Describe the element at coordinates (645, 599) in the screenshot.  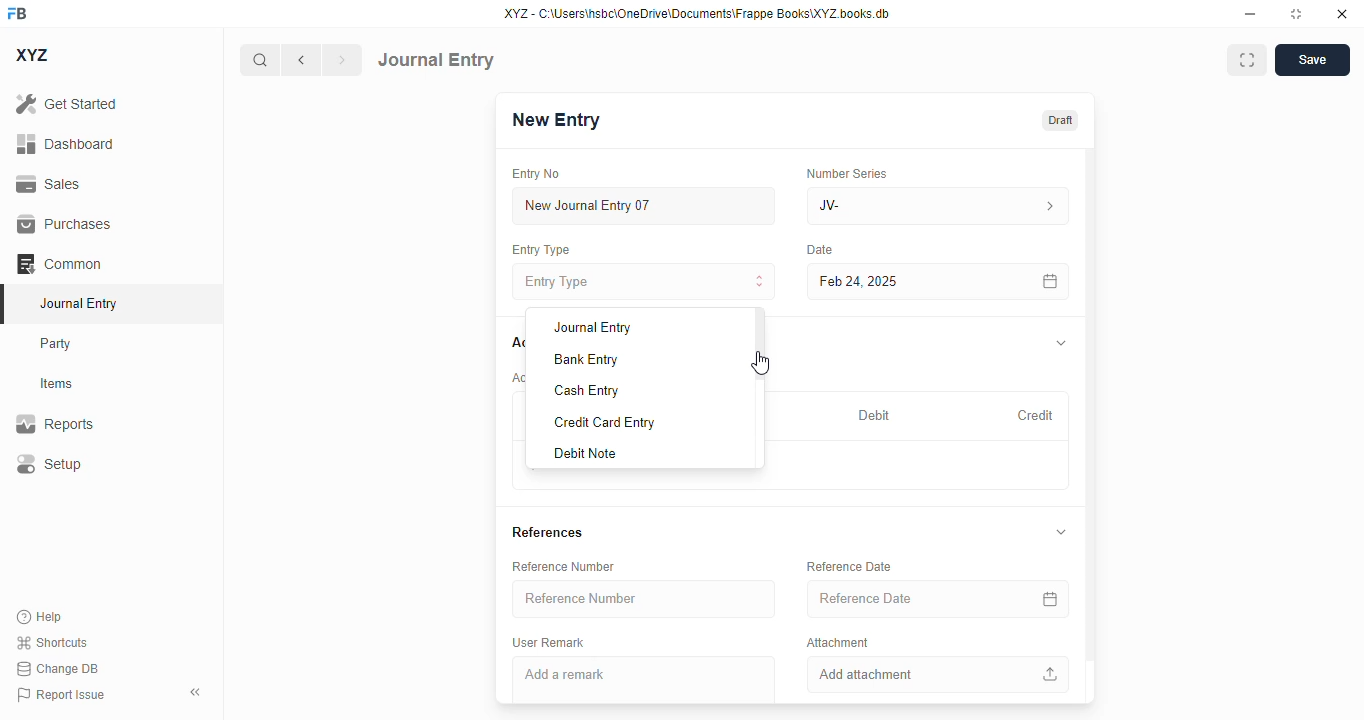
I see `reference number` at that location.